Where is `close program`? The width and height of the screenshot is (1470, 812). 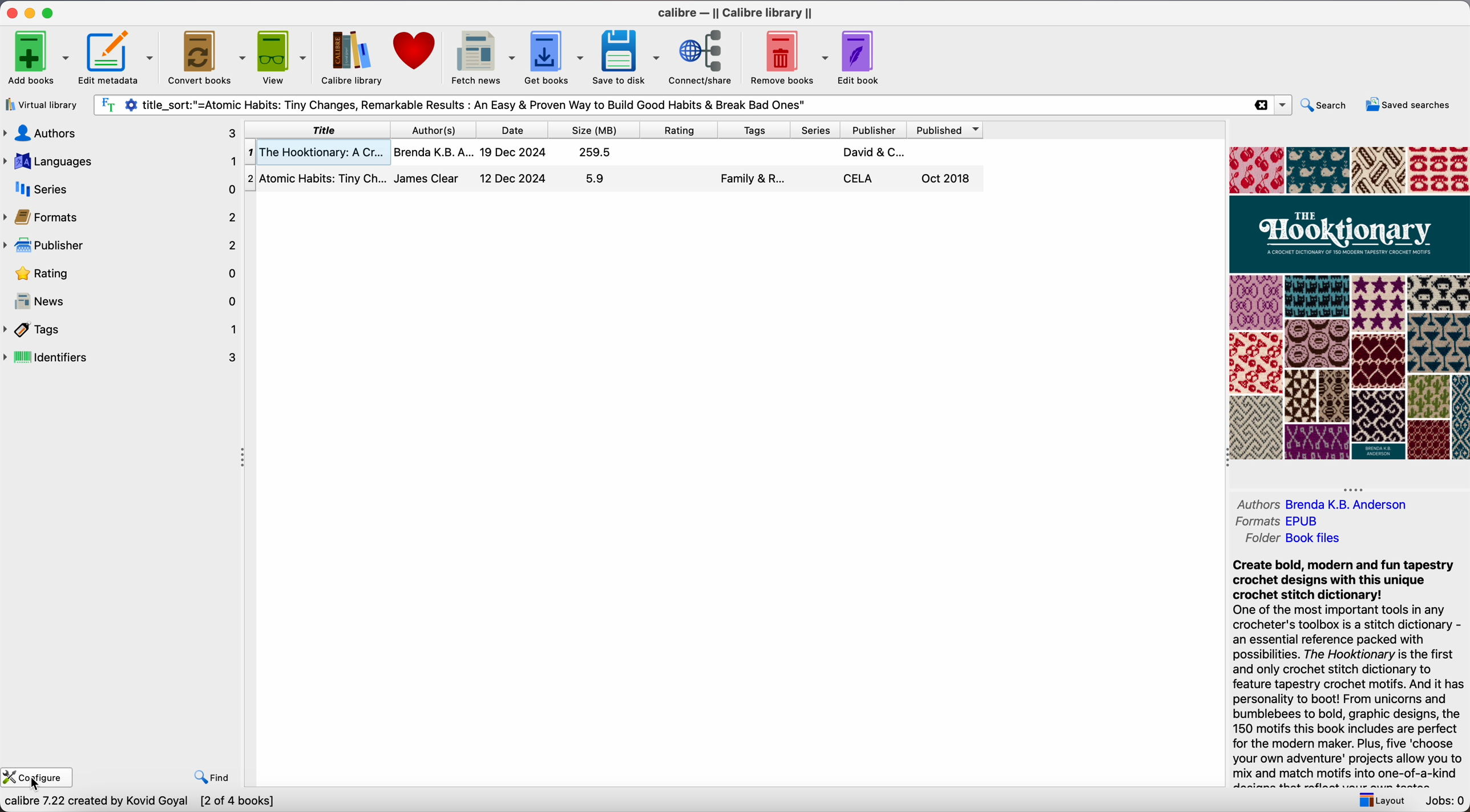 close program is located at coordinates (9, 13).